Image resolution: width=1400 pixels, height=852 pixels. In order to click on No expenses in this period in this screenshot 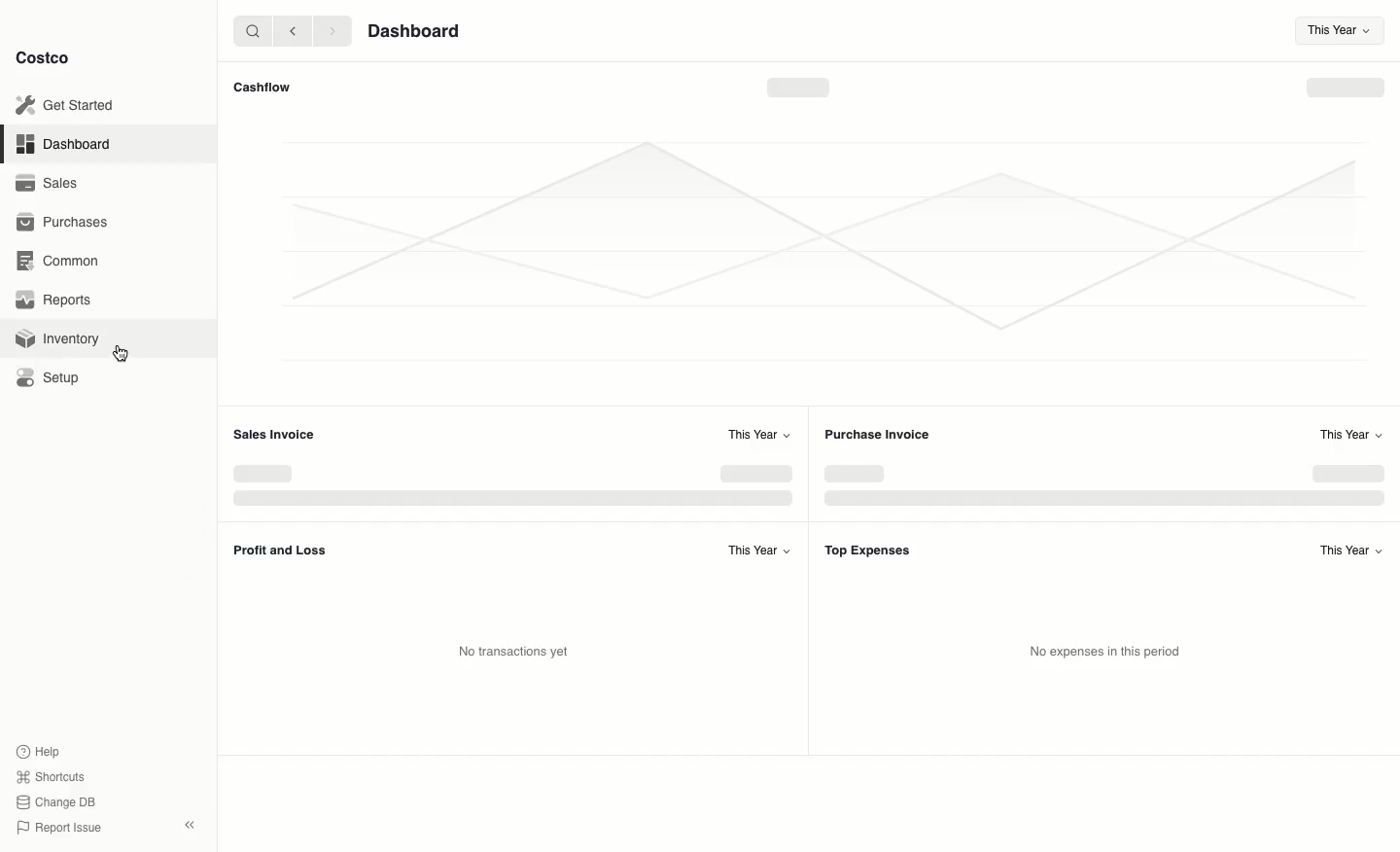, I will do `click(1106, 652)`.